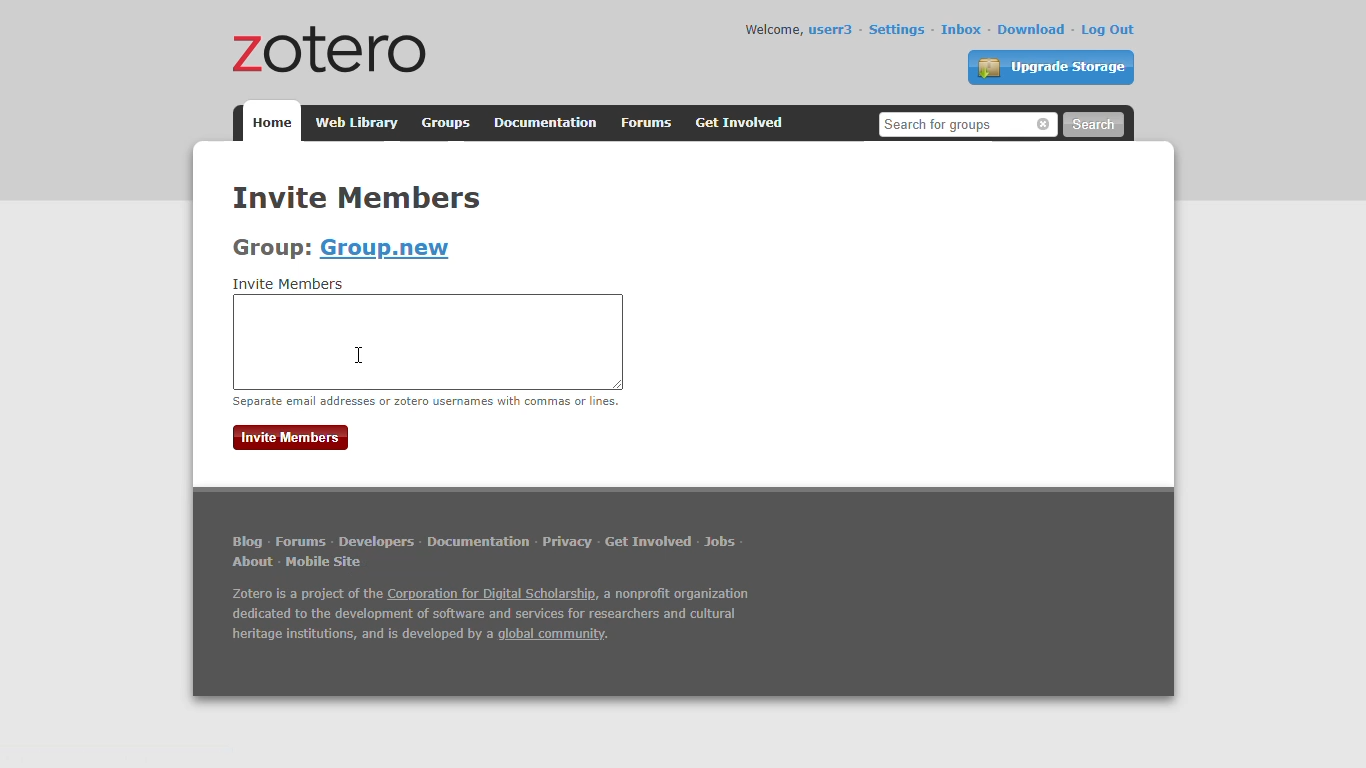  What do you see at coordinates (428, 342) in the screenshot?
I see `input box` at bounding box center [428, 342].